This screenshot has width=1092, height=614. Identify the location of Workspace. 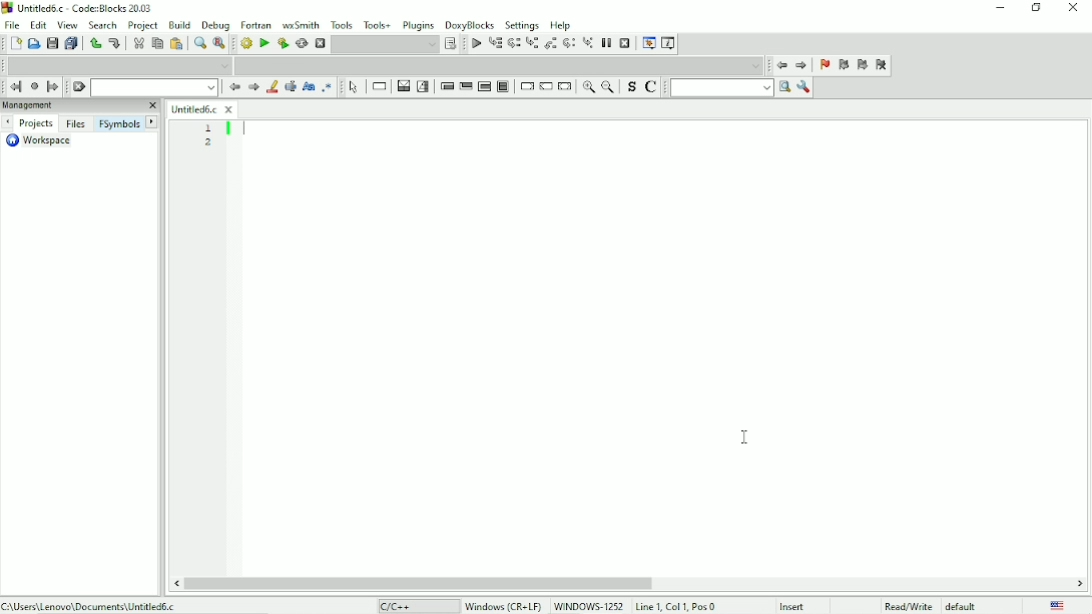
(45, 141).